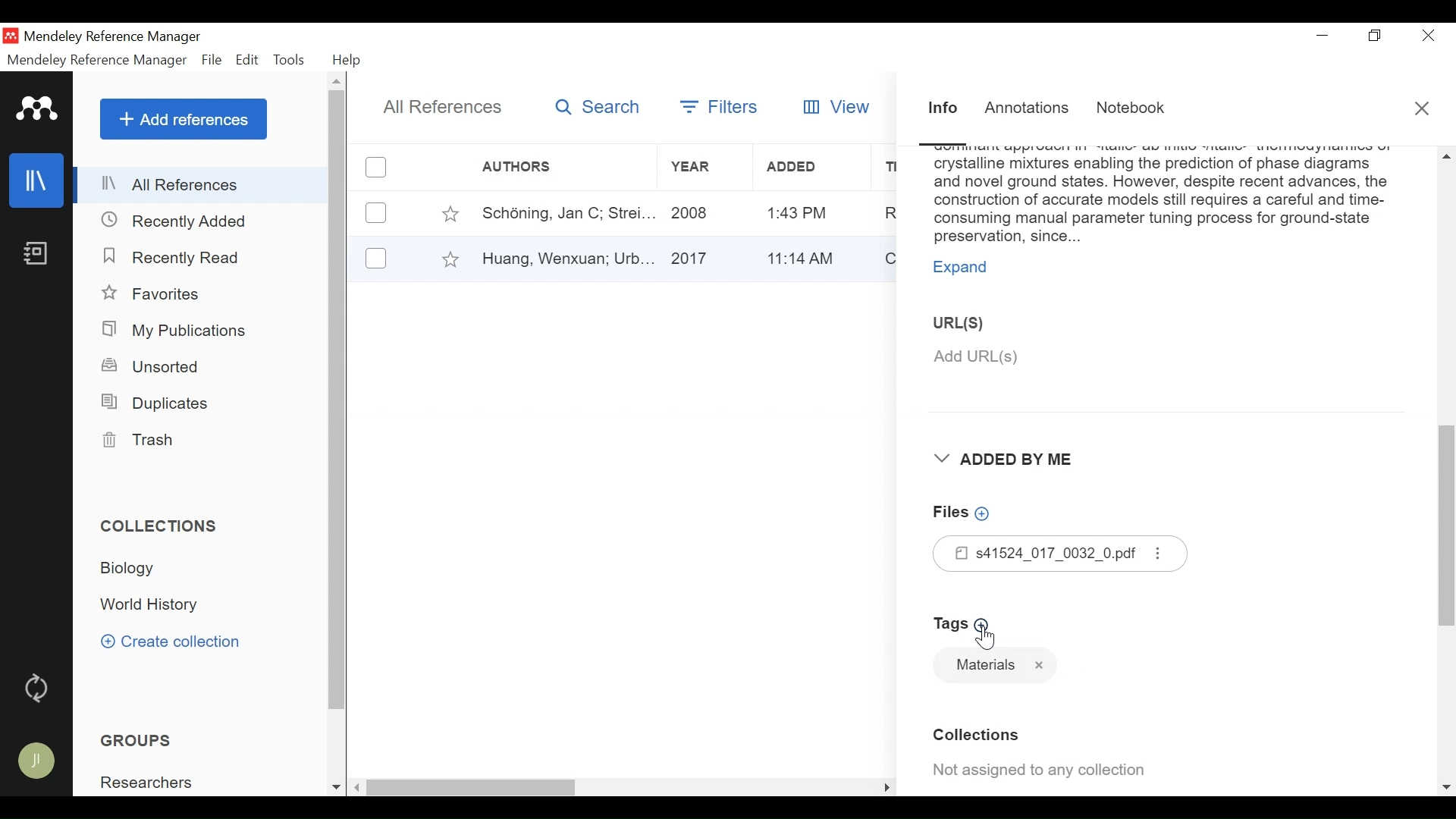 The height and width of the screenshot is (819, 1456). What do you see at coordinates (441, 108) in the screenshot?
I see `All References` at bounding box center [441, 108].